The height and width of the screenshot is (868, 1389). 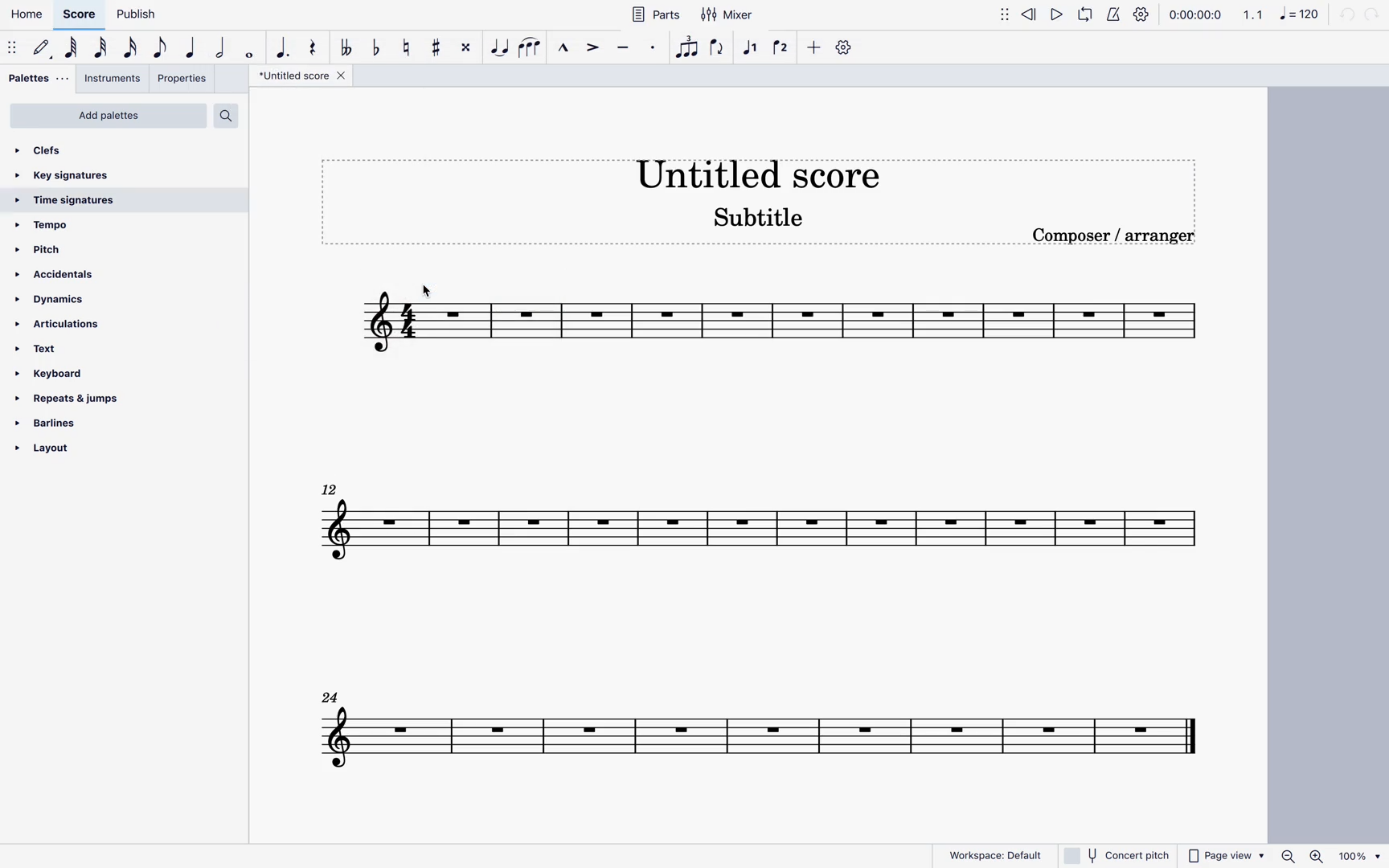 What do you see at coordinates (39, 49) in the screenshot?
I see `default` at bounding box center [39, 49].